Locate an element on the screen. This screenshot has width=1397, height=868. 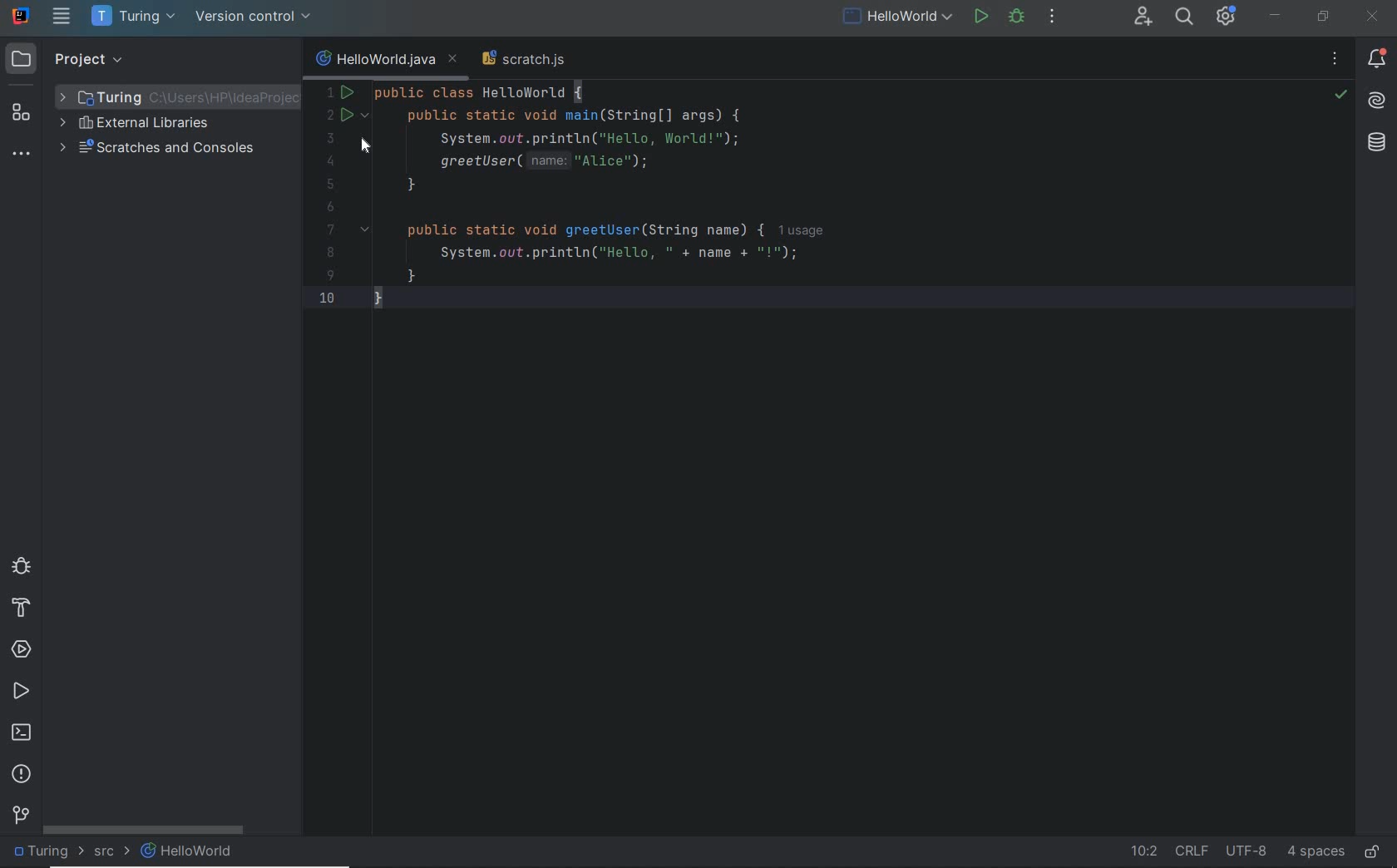
more actions is located at coordinates (1054, 17).